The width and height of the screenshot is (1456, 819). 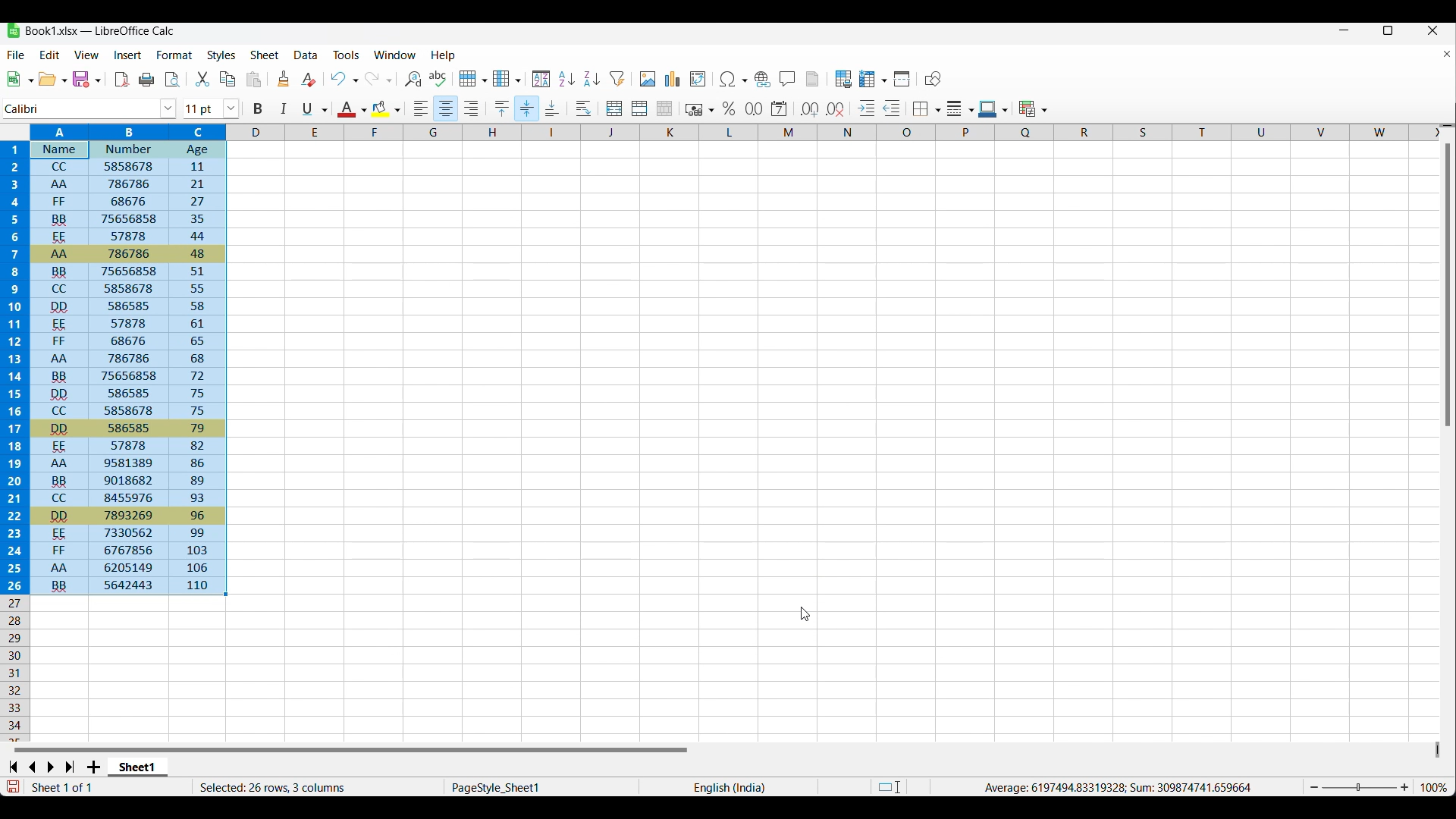 I want to click on Insert hyperlink, so click(x=763, y=80).